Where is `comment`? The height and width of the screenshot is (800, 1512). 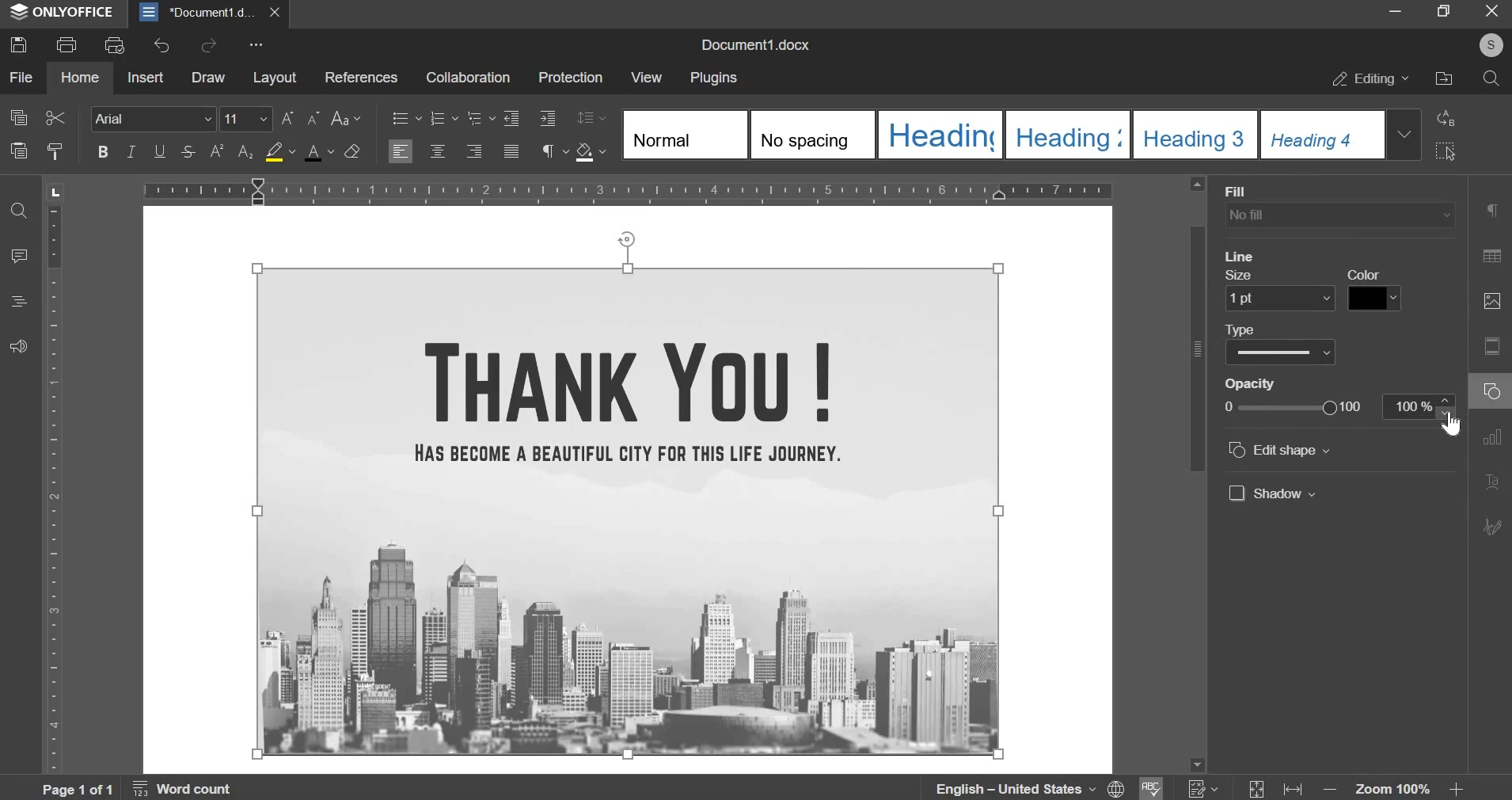
comment is located at coordinates (20, 257).